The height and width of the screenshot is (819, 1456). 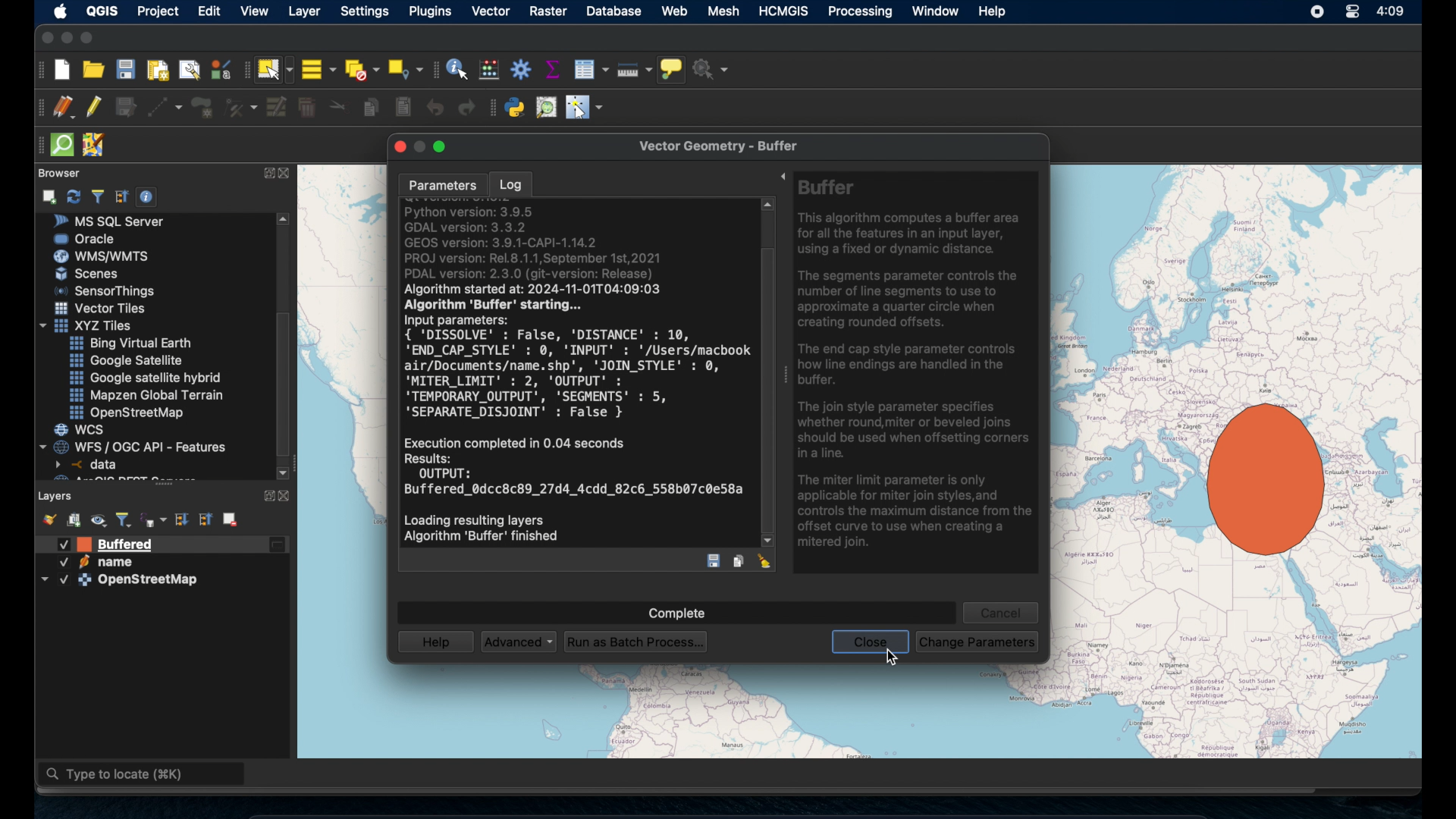 I want to click on cut features, so click(x=340, y=107).